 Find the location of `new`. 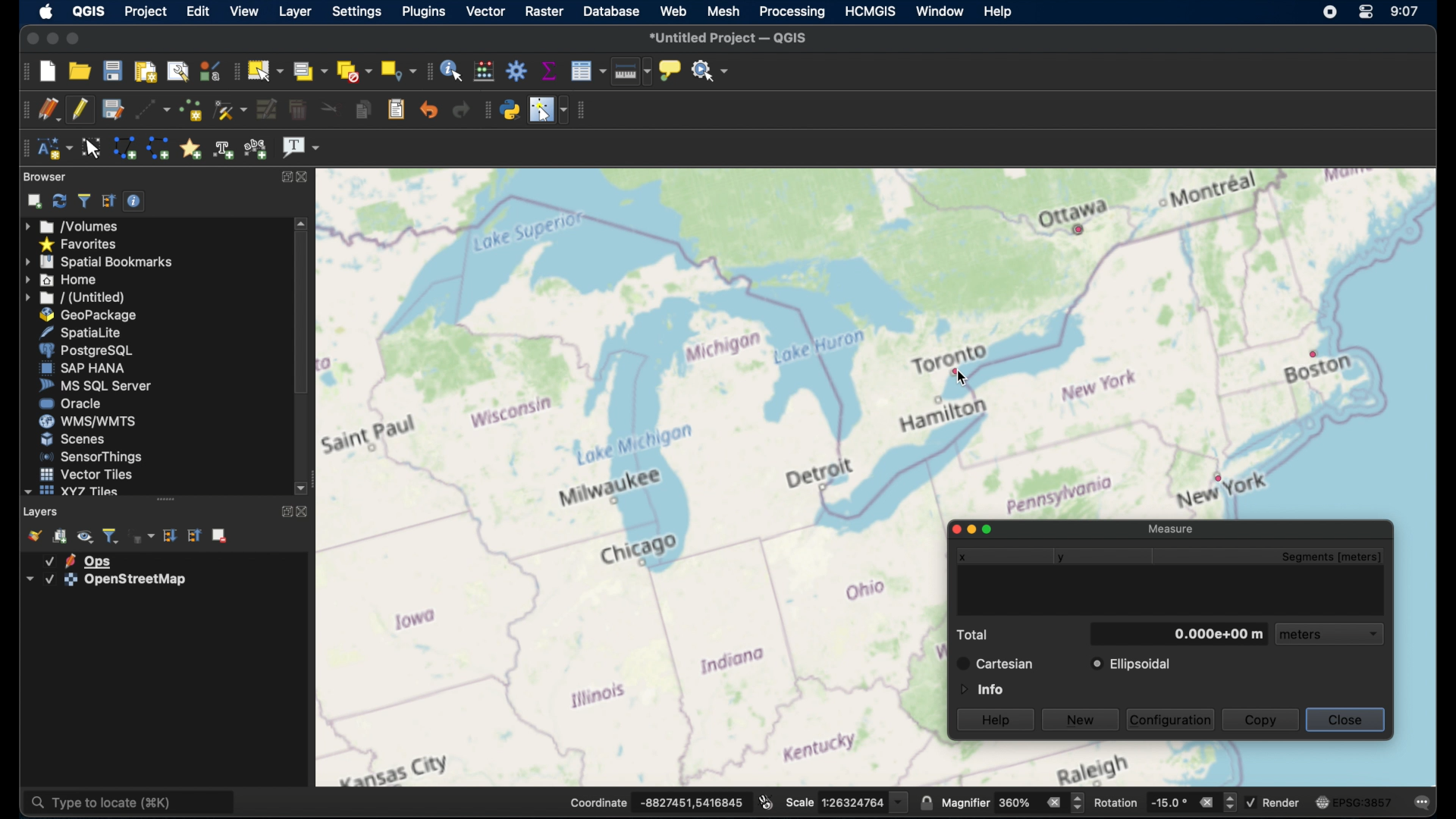

new is located at coordinates (1082, 718).